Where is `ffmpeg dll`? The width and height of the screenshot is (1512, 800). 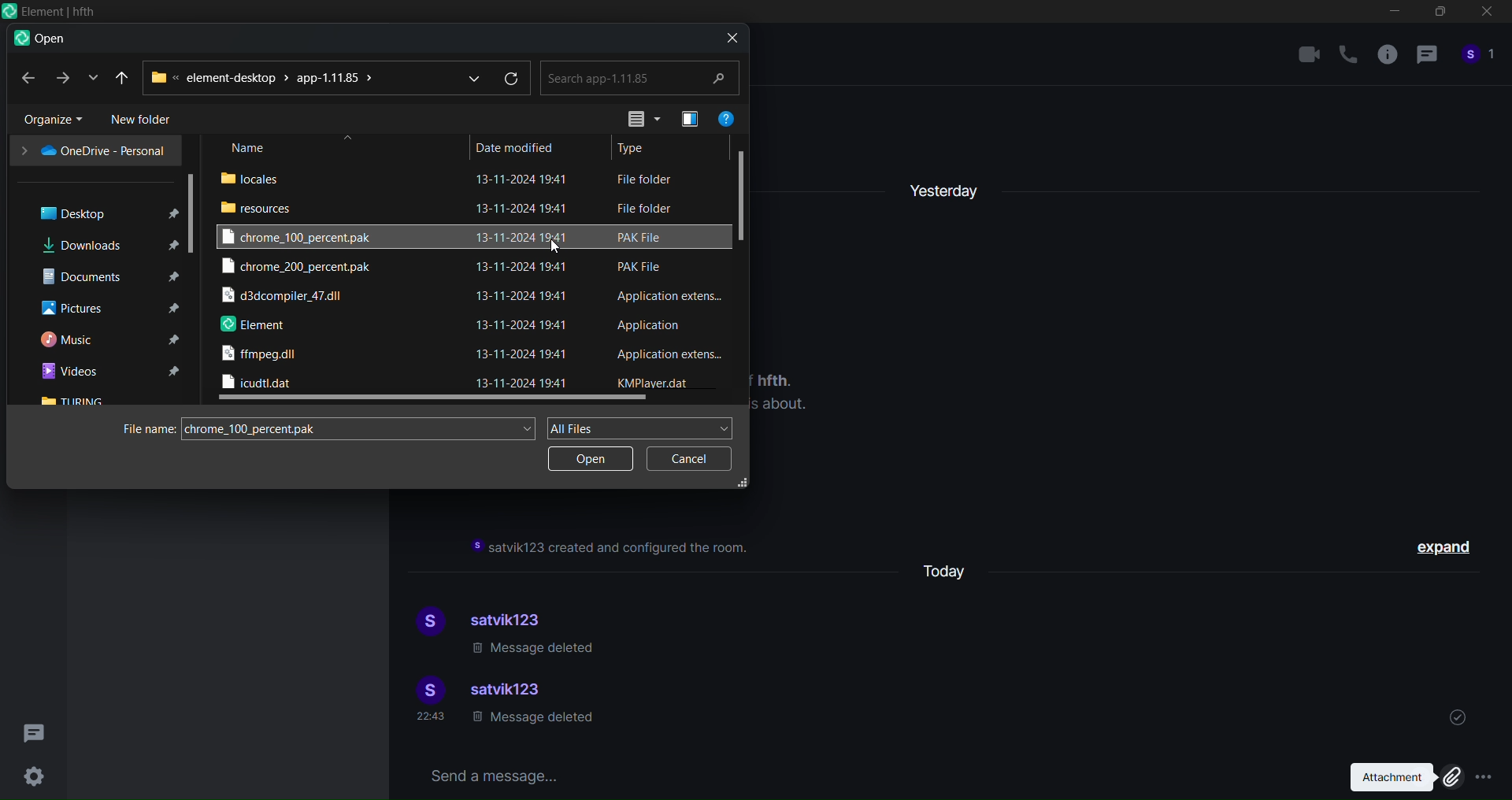 ffmpeg dll is located at coordinates (262, 357).